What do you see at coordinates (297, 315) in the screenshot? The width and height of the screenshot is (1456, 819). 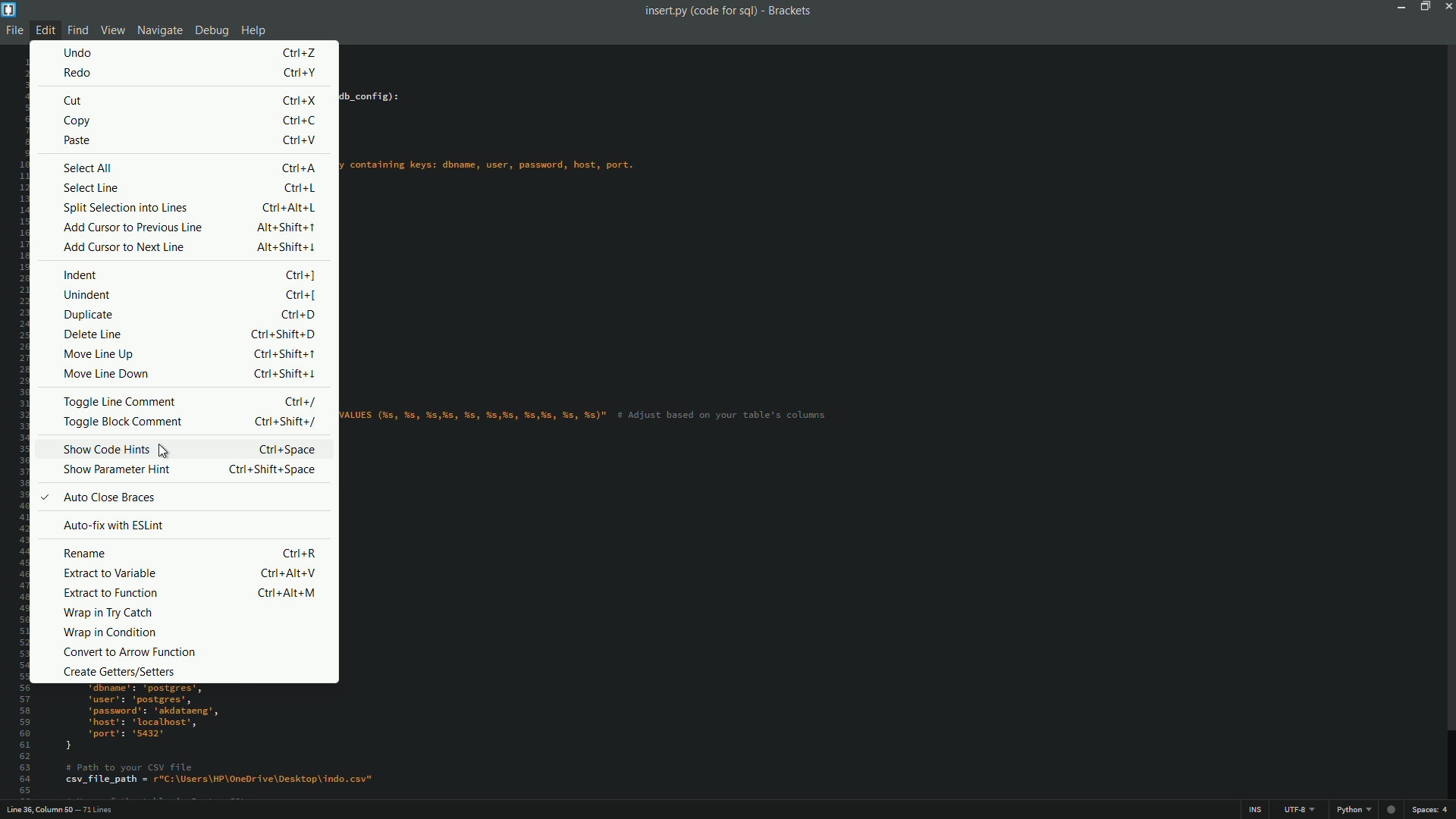 I see `keyboard shortcut` at bounding box center [297, 315].